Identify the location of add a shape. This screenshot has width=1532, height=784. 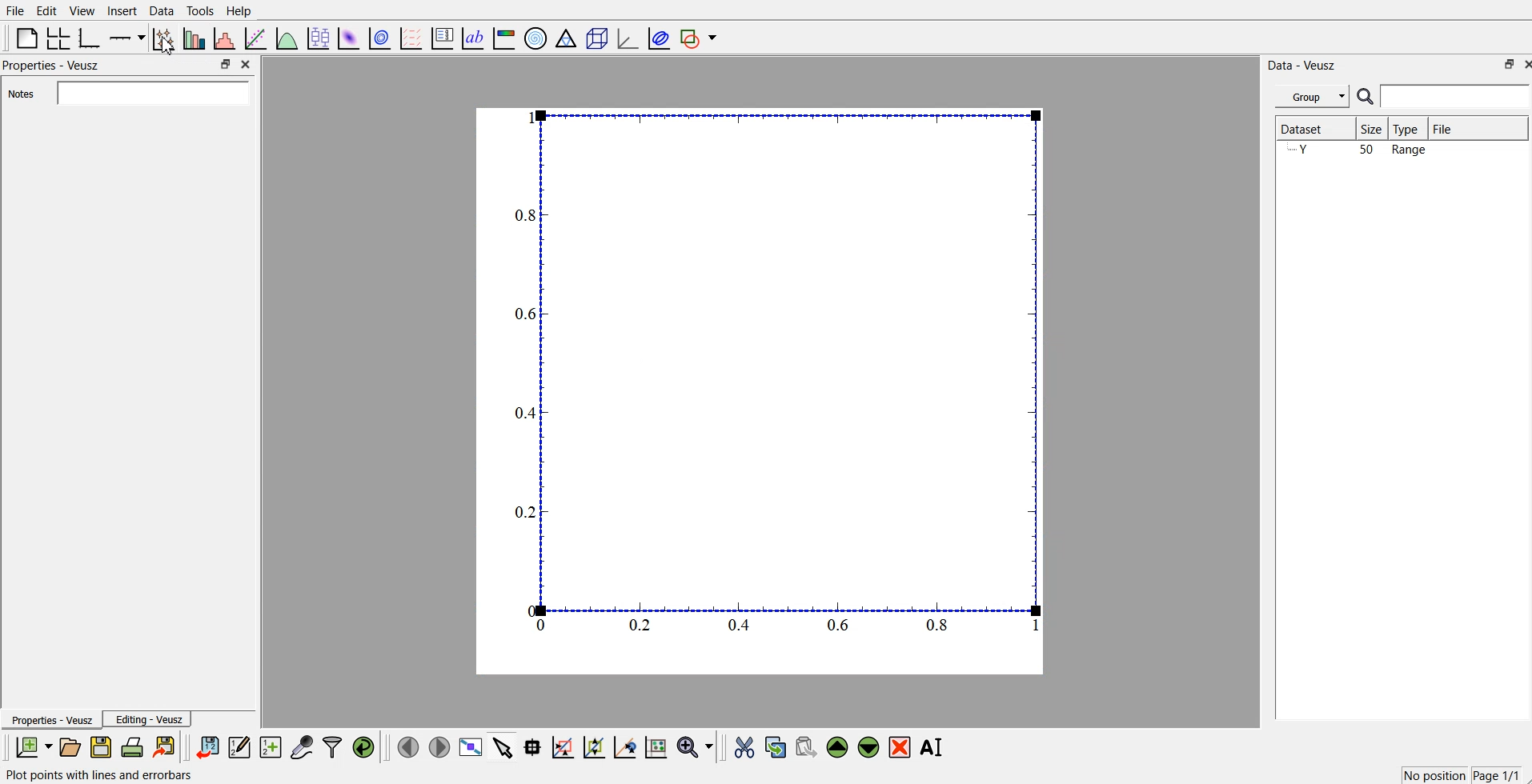
(700, 38).